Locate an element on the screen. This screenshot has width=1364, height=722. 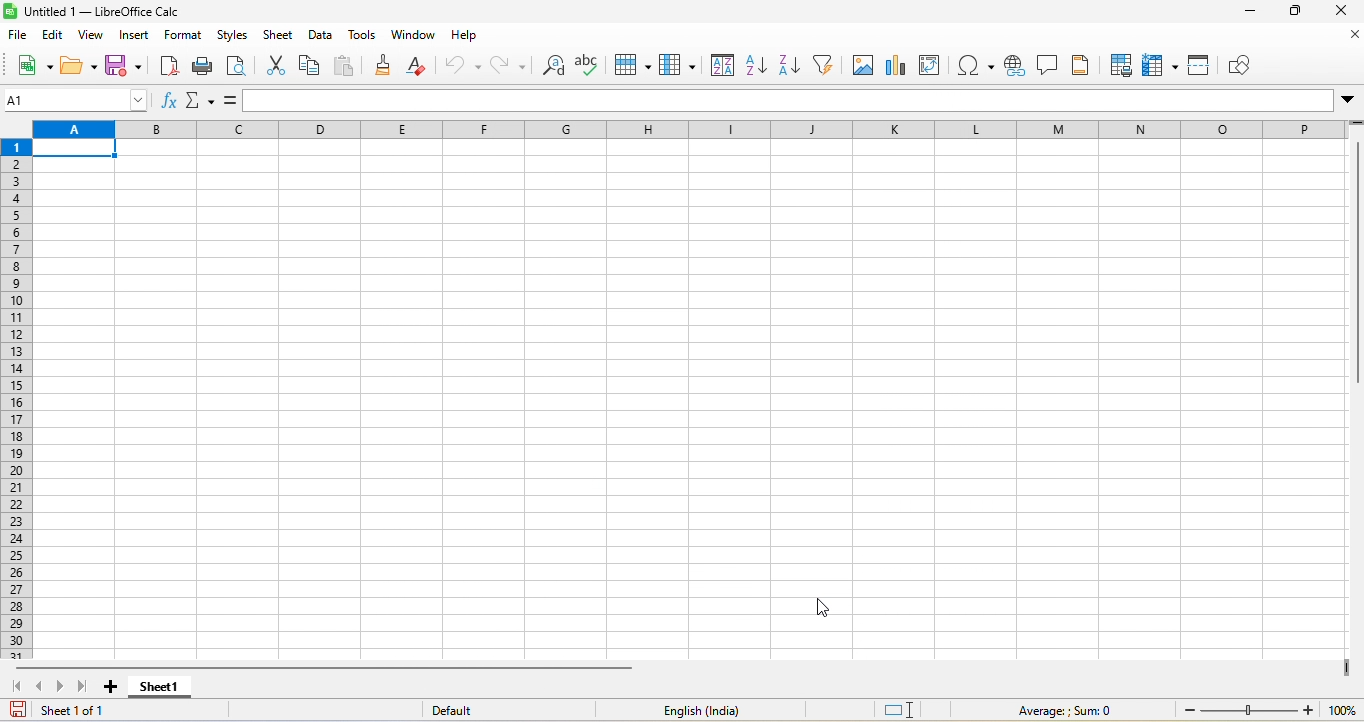
image is located at coordinates (866, 64).